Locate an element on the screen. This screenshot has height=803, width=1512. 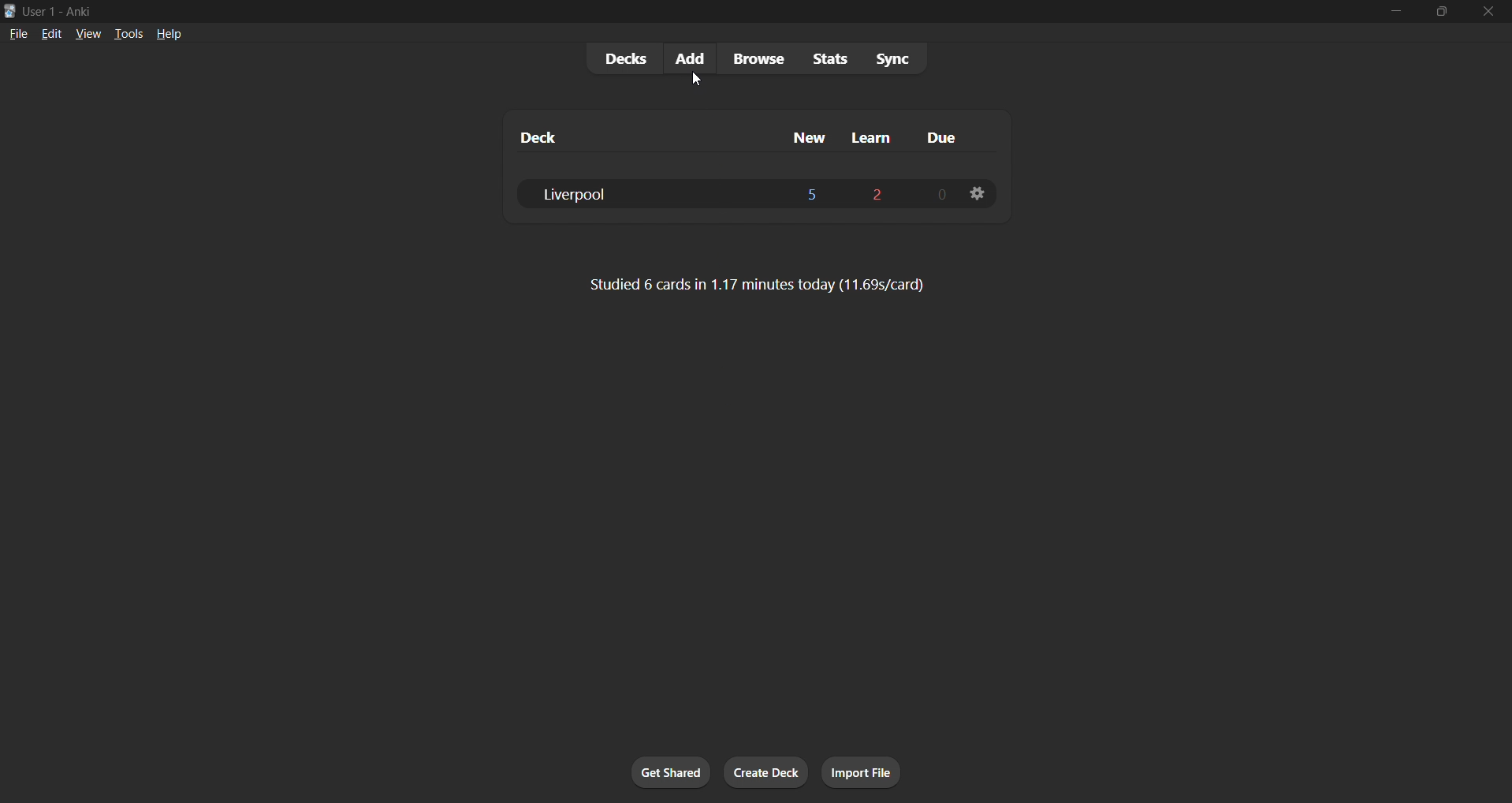
stats is located at coordinates (829, 60).